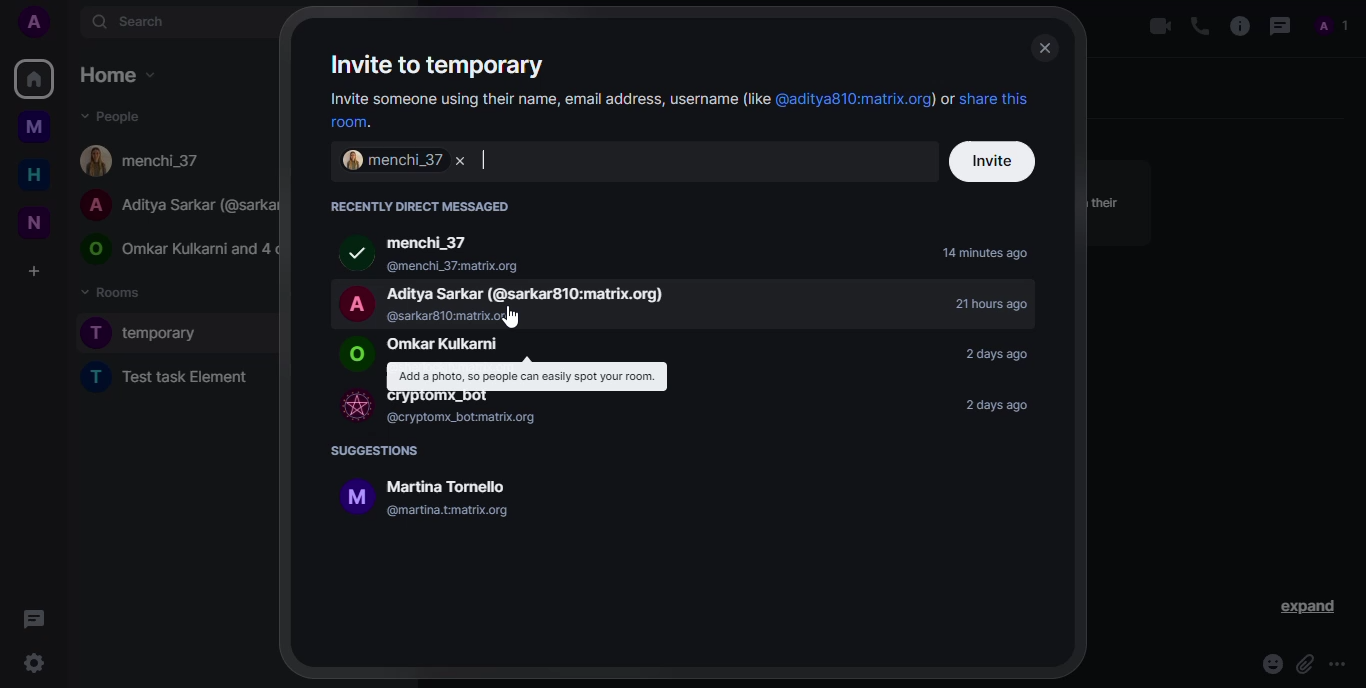  What do you see at coordinates (1004, 406) in the screenshot?
I see `2 days ago` at bounding box center [1004, 406].